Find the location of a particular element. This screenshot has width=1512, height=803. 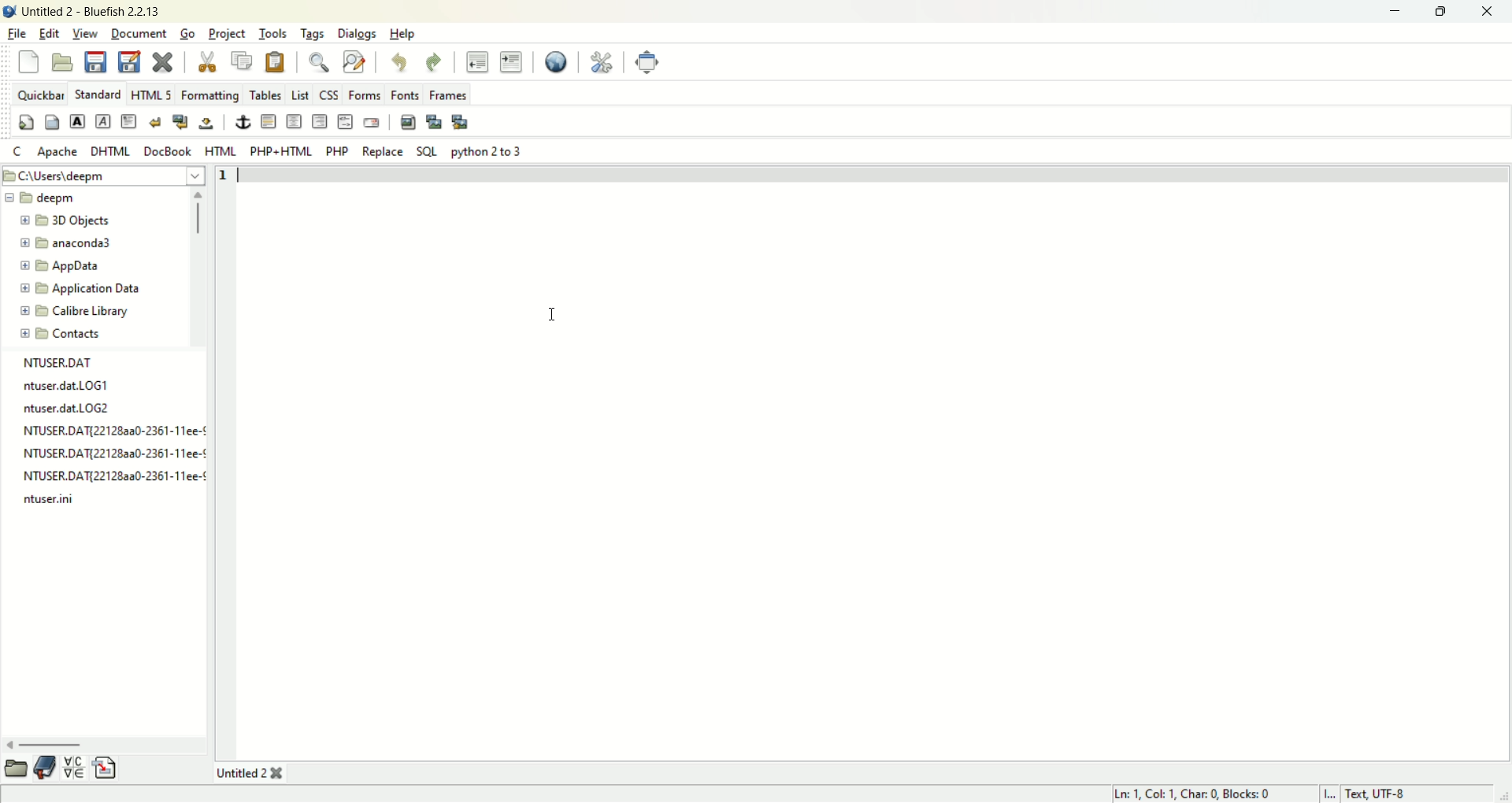

APACHE is located at coordinates (57, 152).